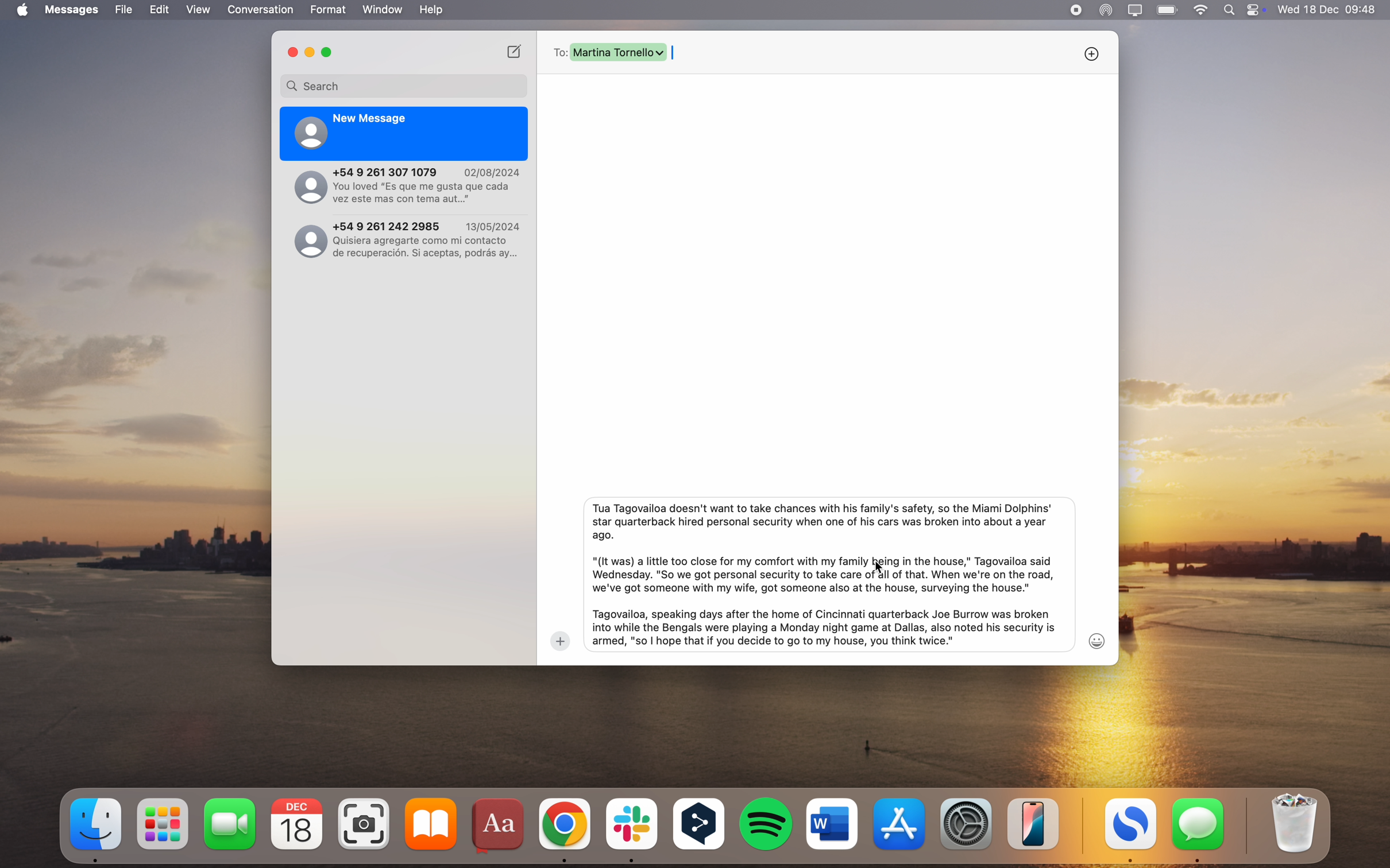  I want to click on Airdrop, so click(1106, 11).